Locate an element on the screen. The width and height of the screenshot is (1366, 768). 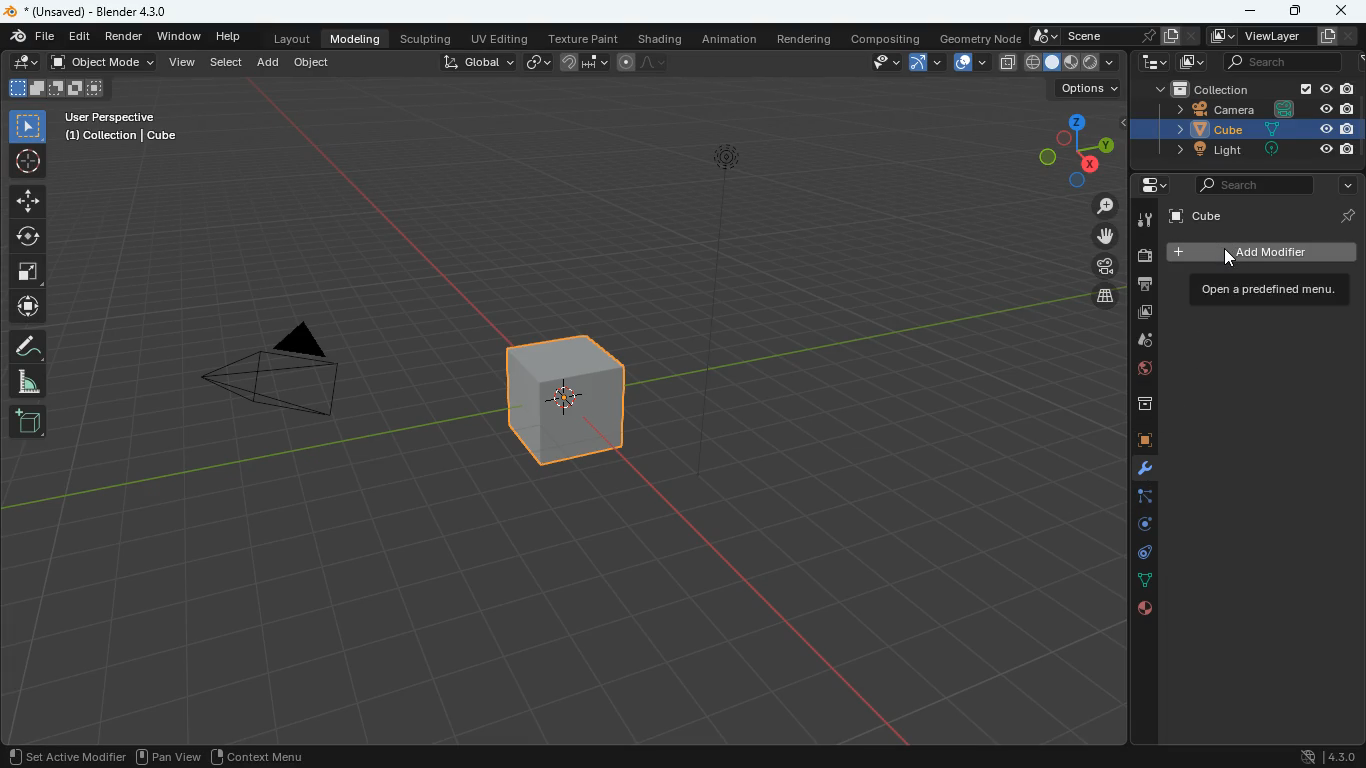
image is located at coordinates (1144, 314).